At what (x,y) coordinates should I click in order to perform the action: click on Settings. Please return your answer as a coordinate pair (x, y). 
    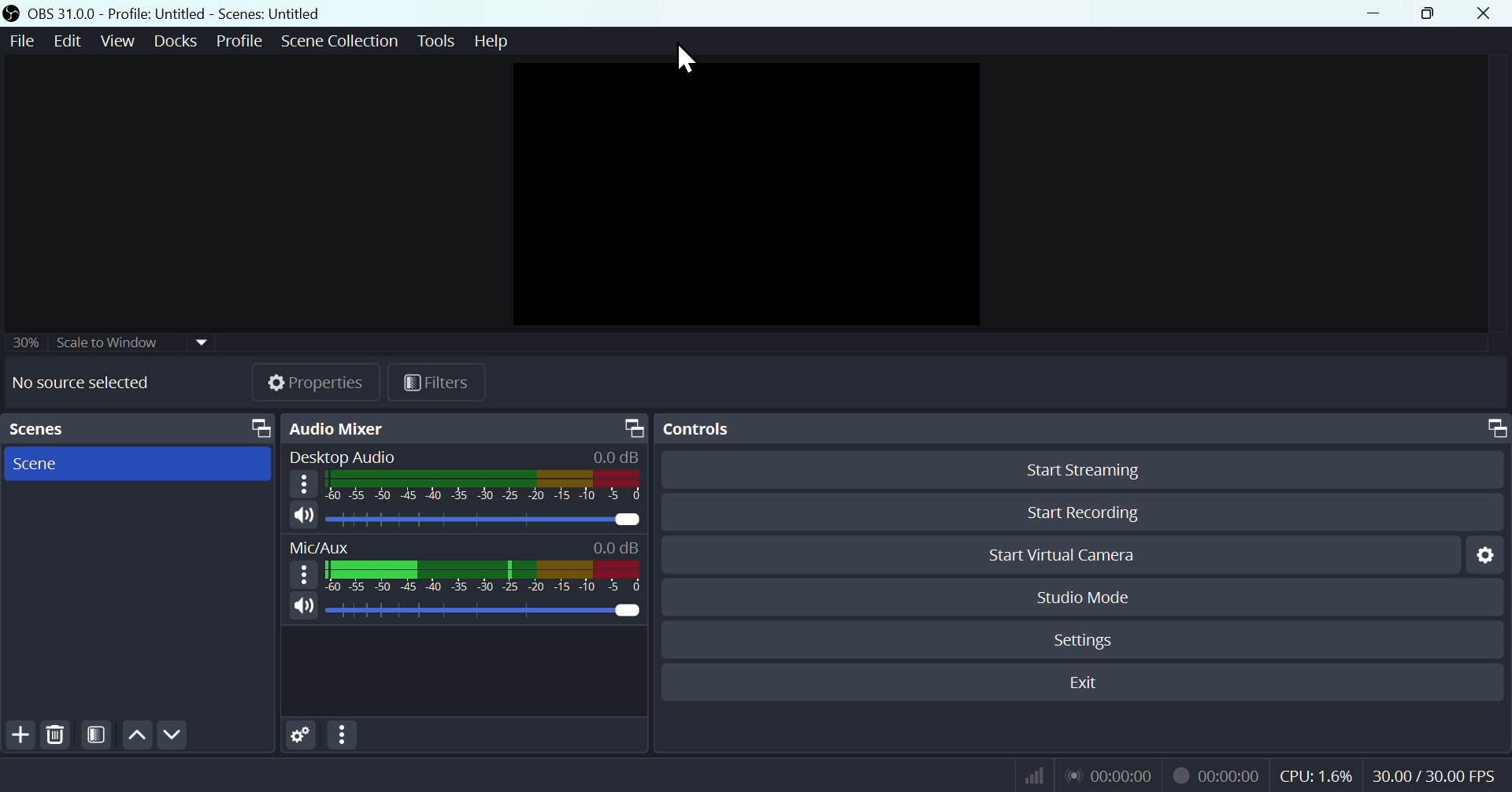
    Looking at the image, I should click on (1488, 554).